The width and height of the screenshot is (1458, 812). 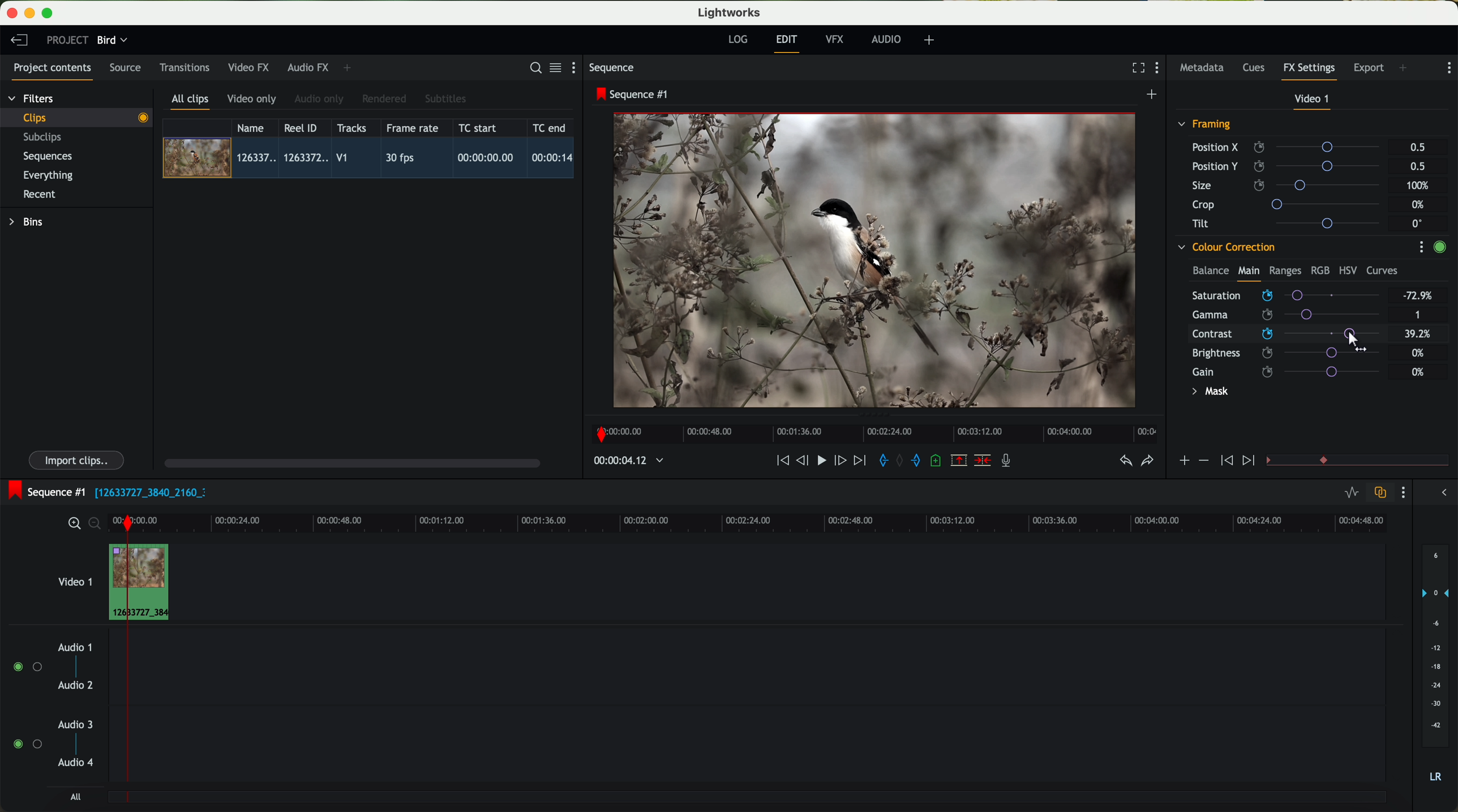 What do you see at coordinates (784, 522) in the screenshot?
I see `timeline` at bounding box center [784, 522].